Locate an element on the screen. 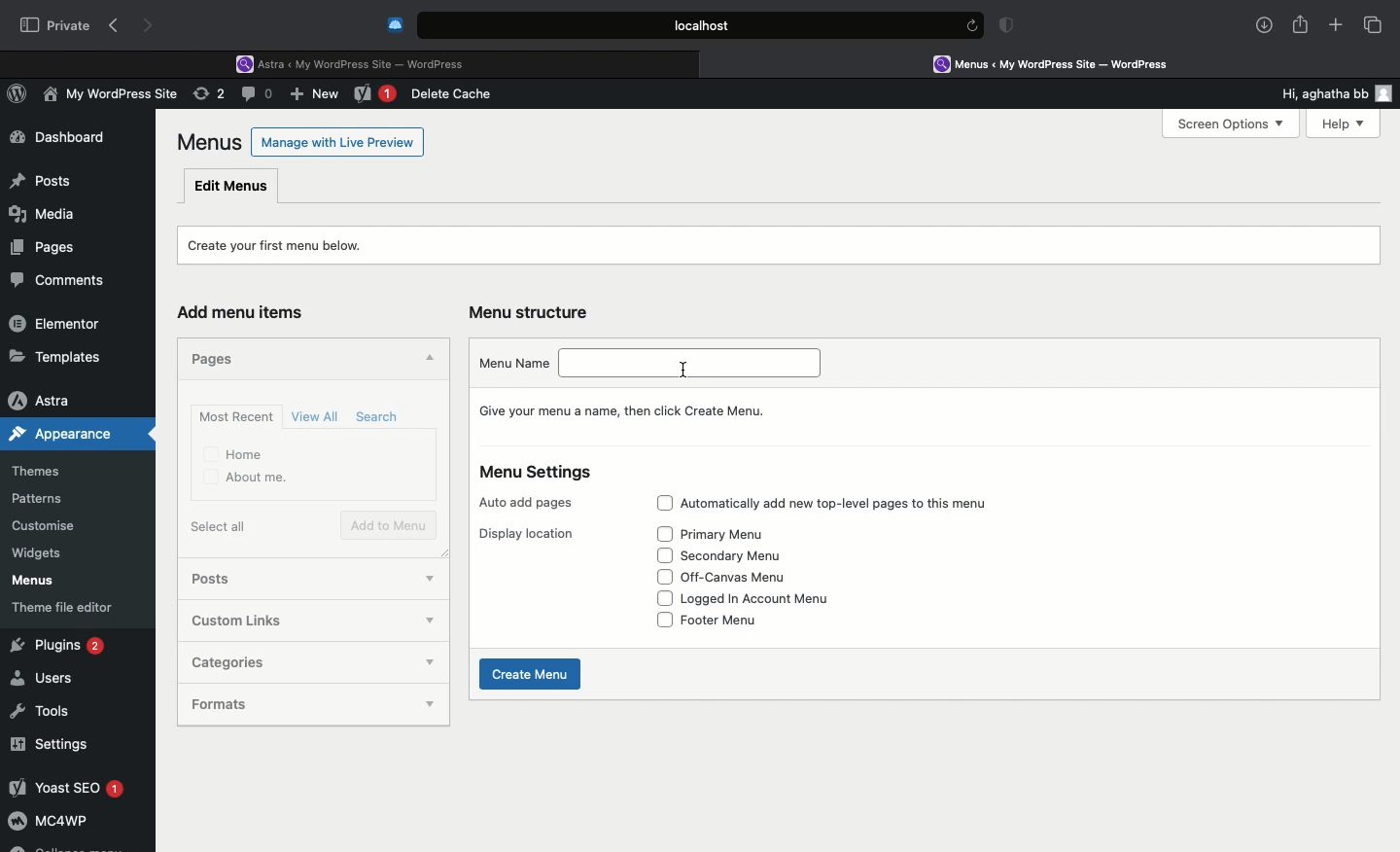  MC4WP is located at coordinates (49, 824).